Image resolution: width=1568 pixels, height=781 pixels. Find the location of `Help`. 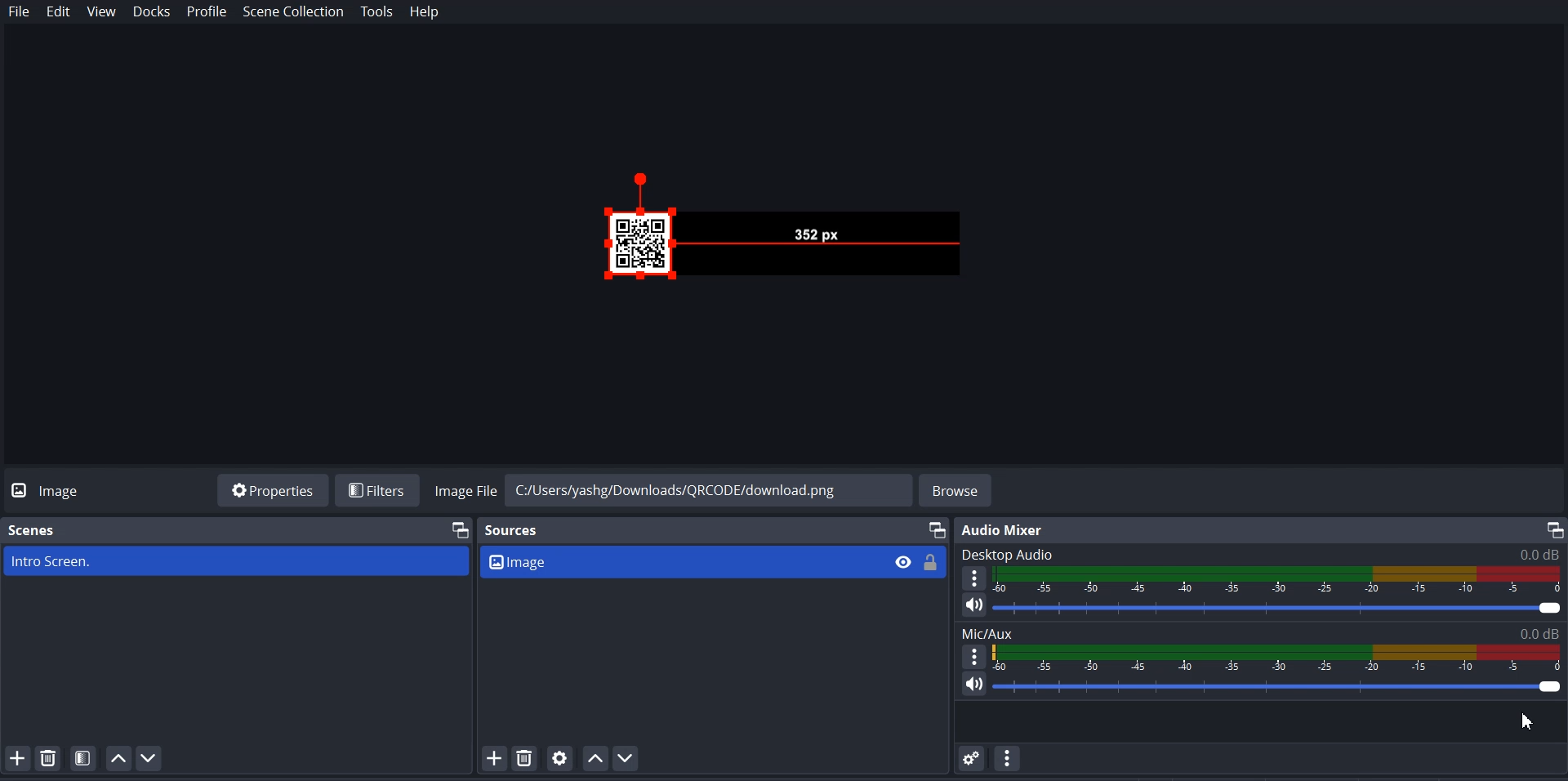

Help is located at coordinates (425, 12).